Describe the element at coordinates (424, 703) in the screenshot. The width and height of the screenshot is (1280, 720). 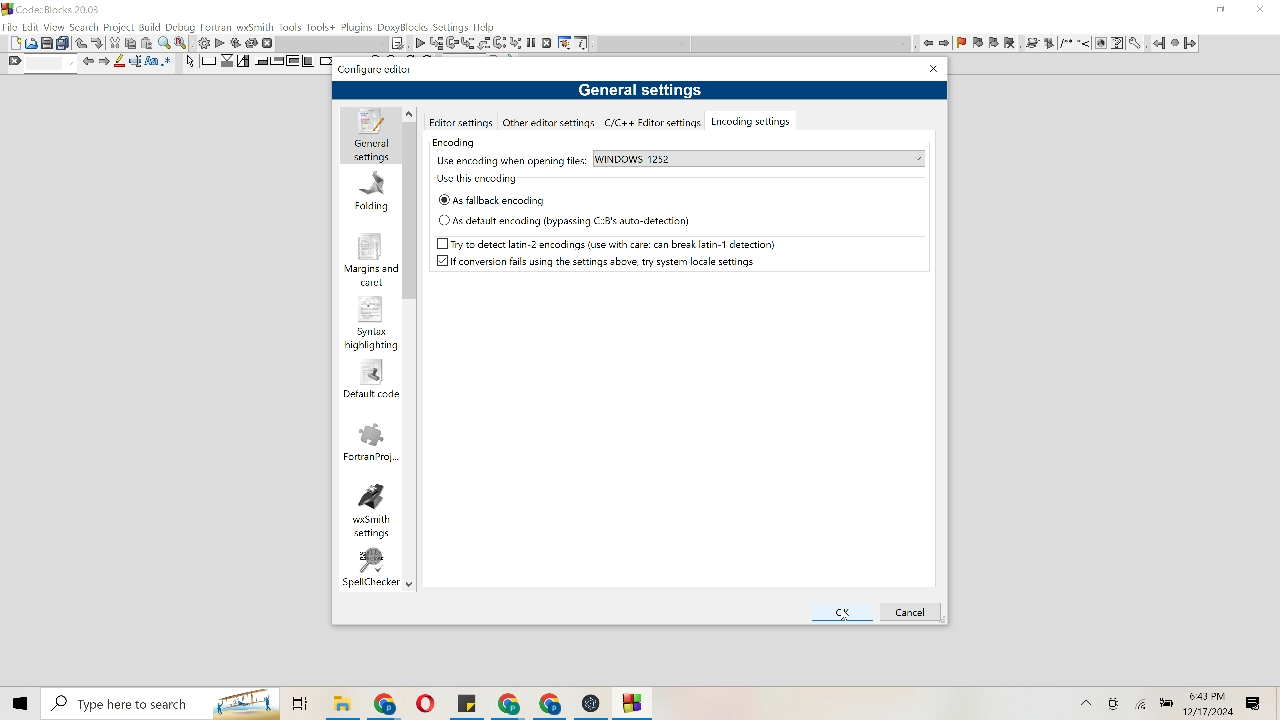
I see `File` at that location.